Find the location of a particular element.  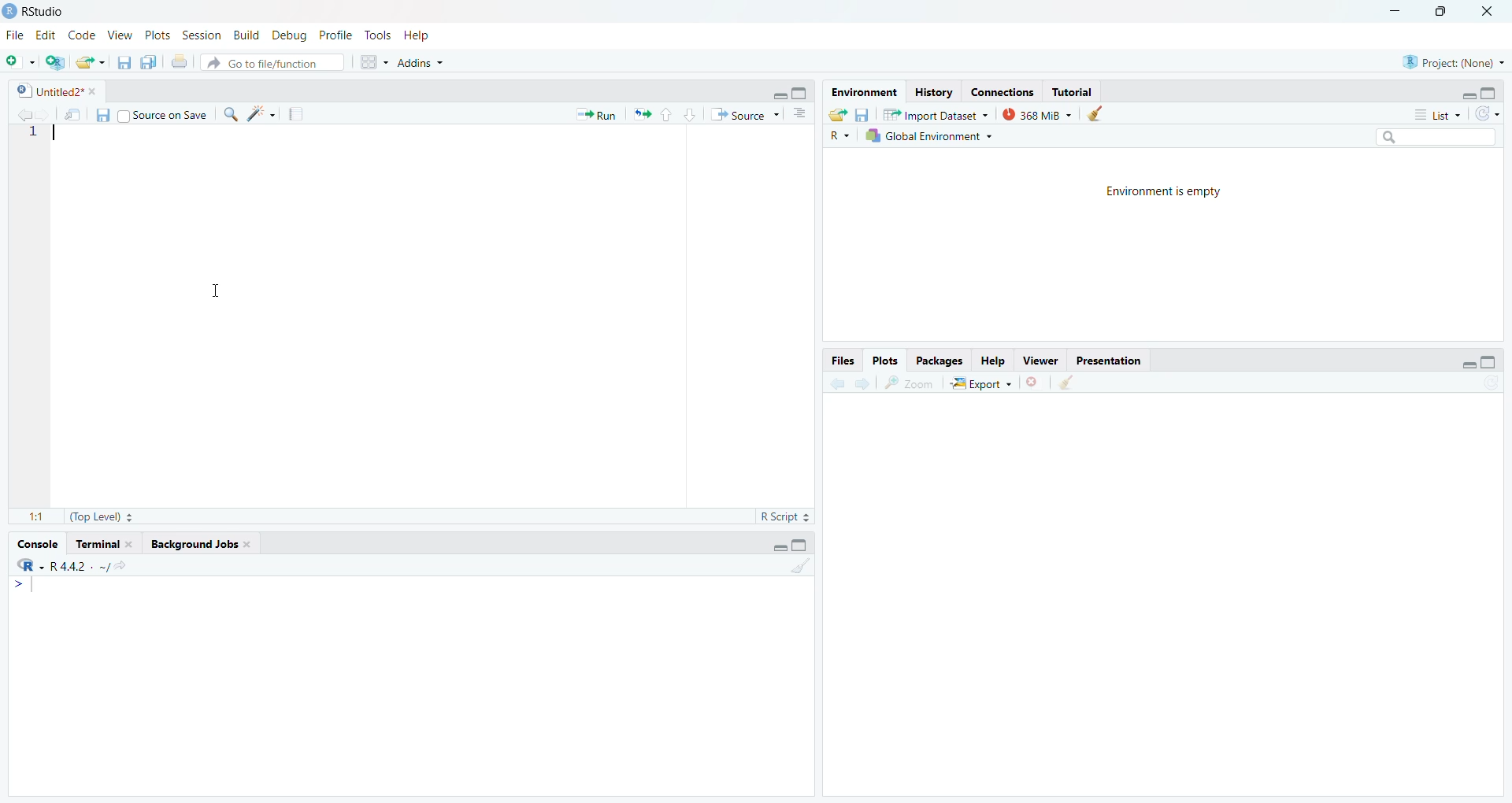

spark is located at coordinates (260, 113).